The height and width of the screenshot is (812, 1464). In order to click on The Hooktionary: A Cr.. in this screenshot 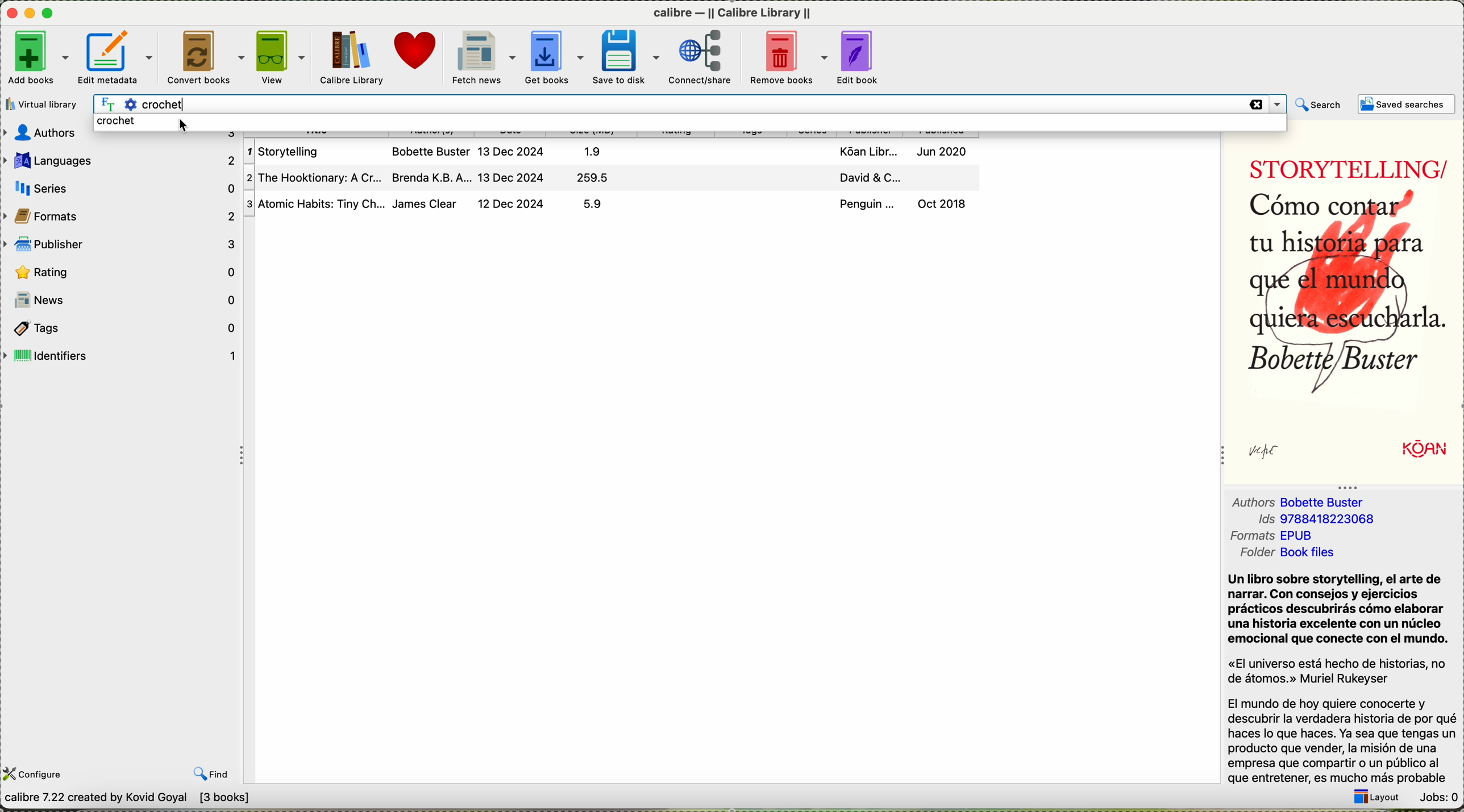, I will do `click(316, 177)`.